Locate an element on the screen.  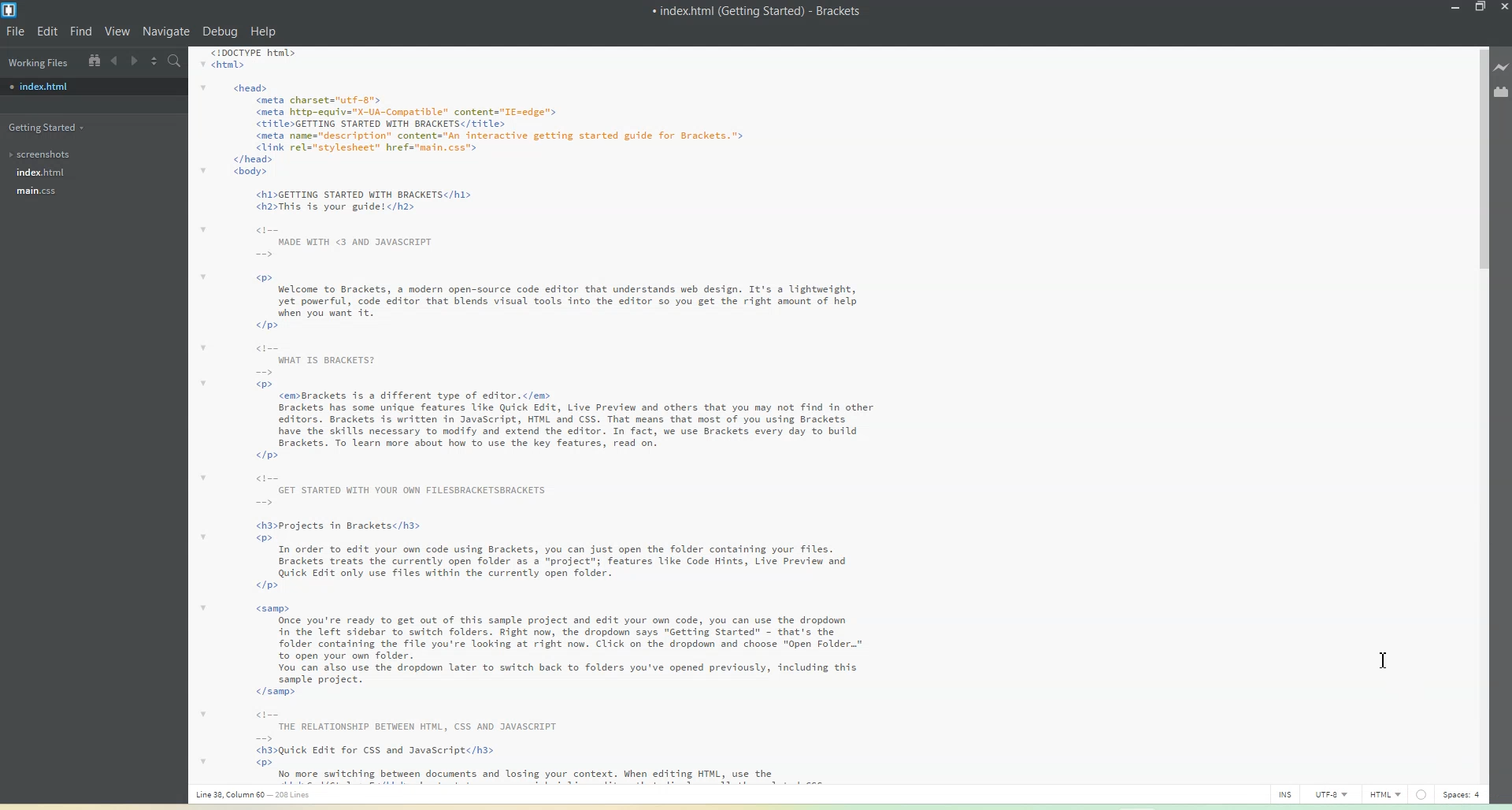
File is located at coordinates (16, 32).